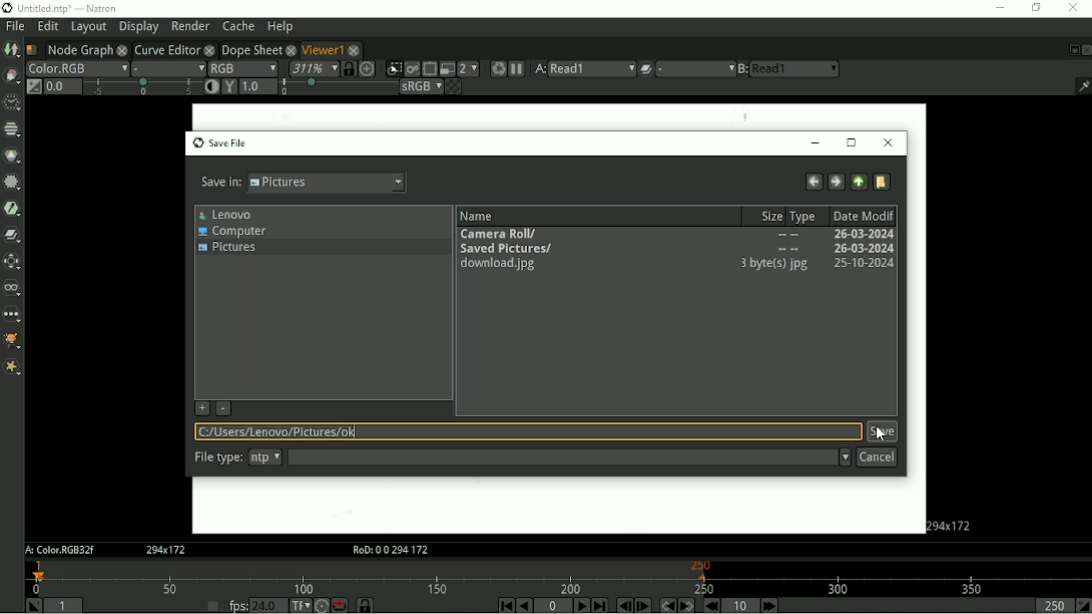 The image size is (1092, 614). What do you see at coordinates (7, 8) in the screenshot?
I see `logo` at bounding box center [7, 8].